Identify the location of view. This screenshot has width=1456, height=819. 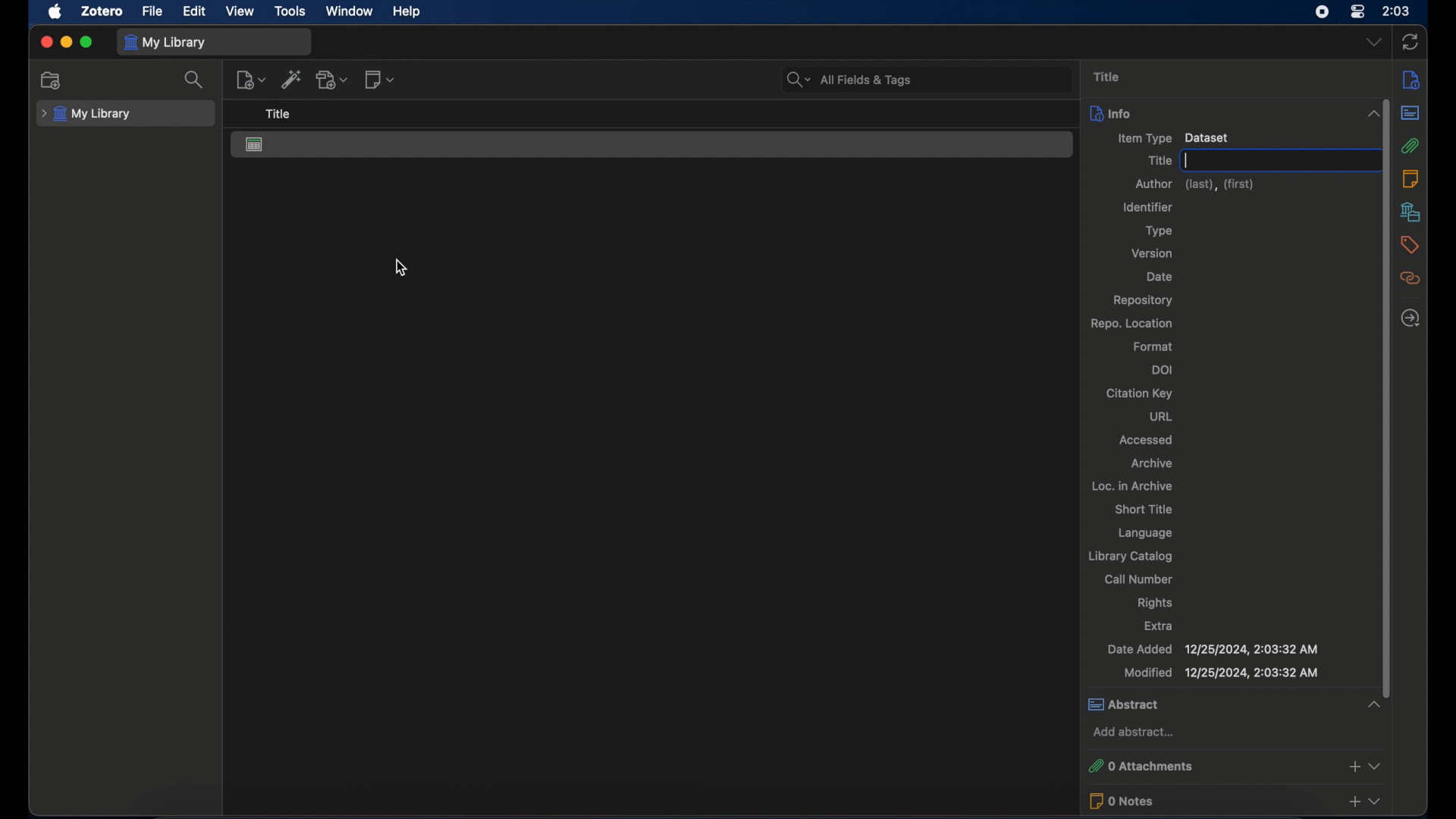
(242, 11).